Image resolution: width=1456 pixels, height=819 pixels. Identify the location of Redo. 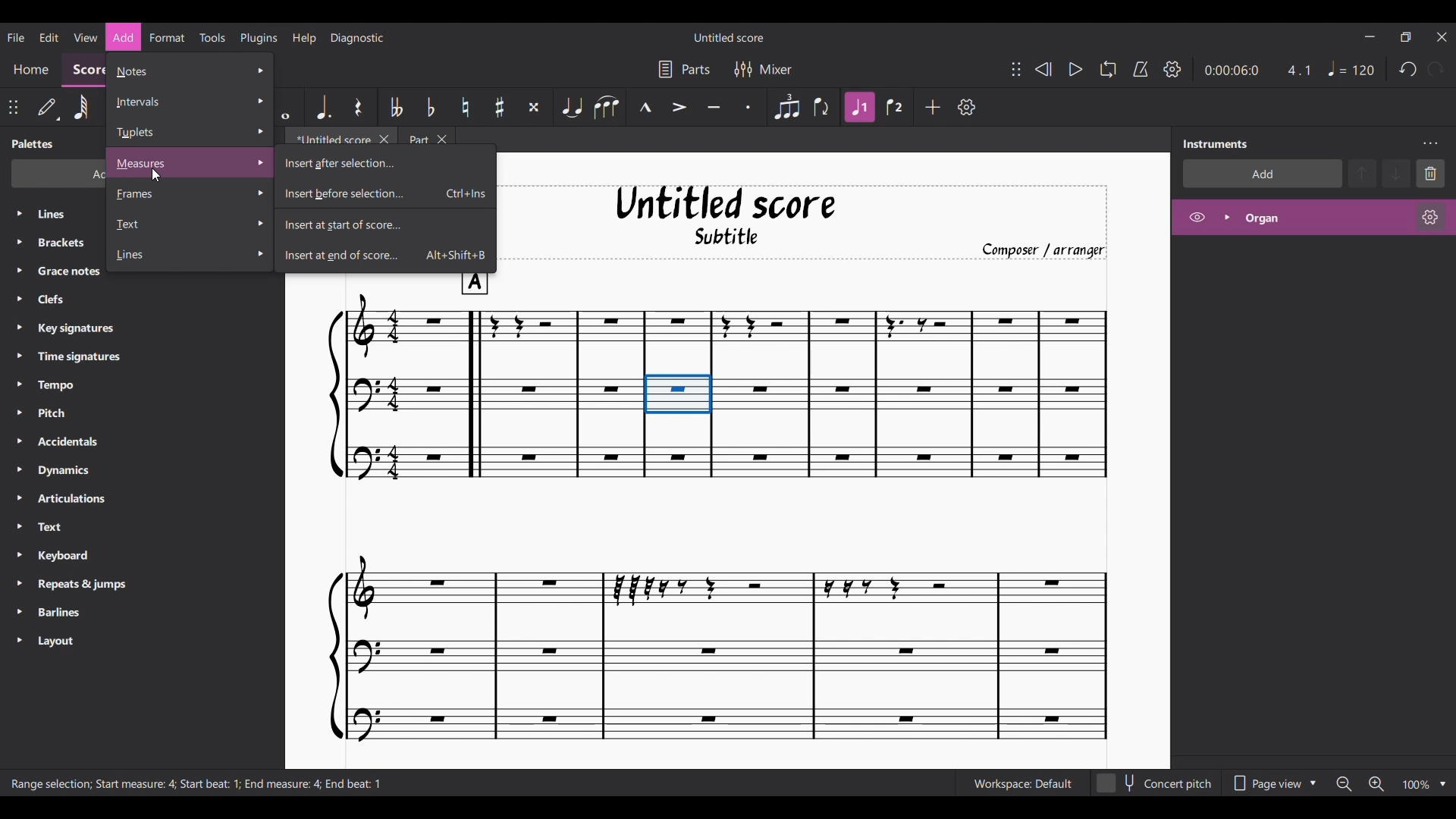
(1436, 70).